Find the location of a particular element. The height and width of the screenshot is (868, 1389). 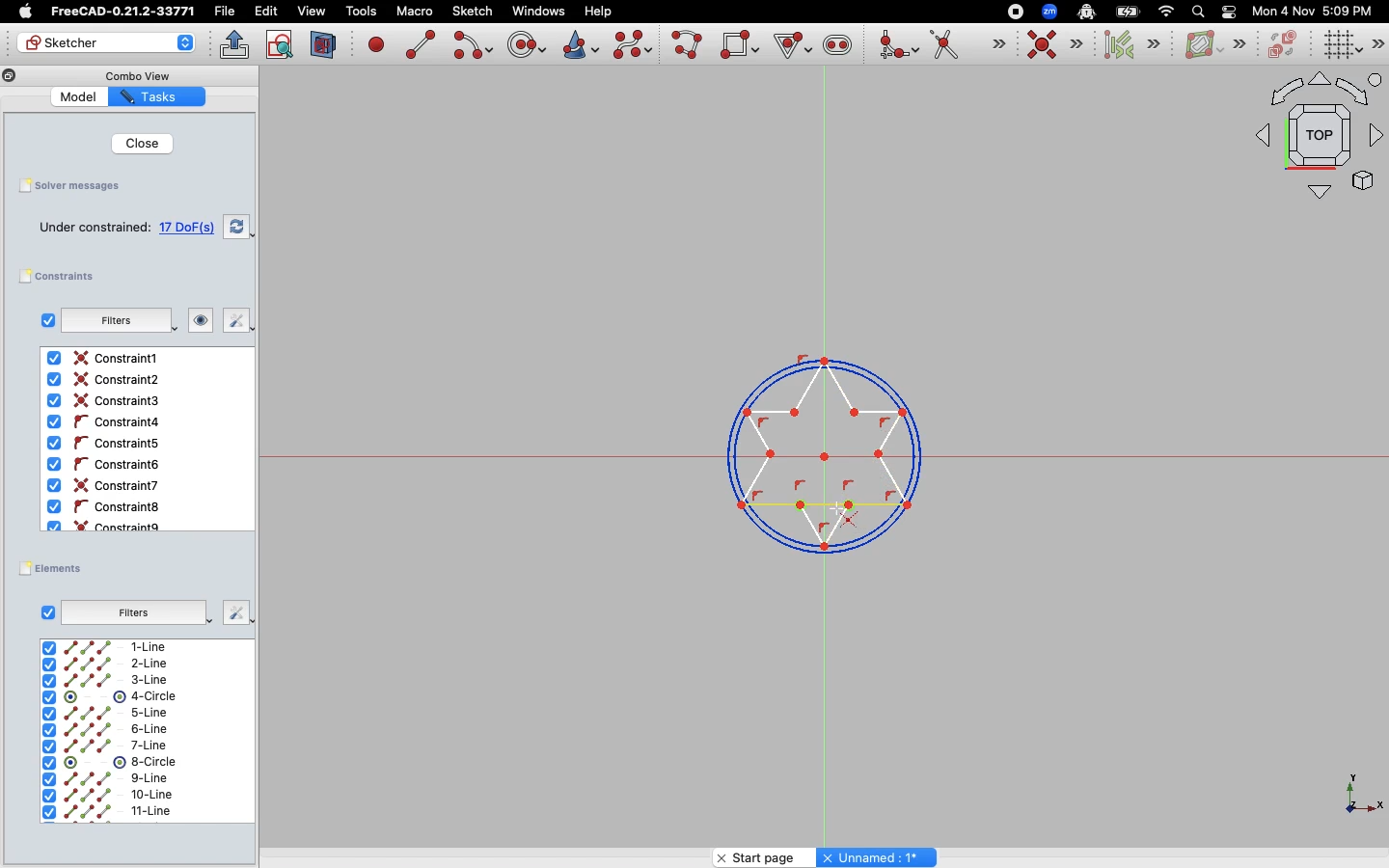

Help is located at coordinates (599, 10).